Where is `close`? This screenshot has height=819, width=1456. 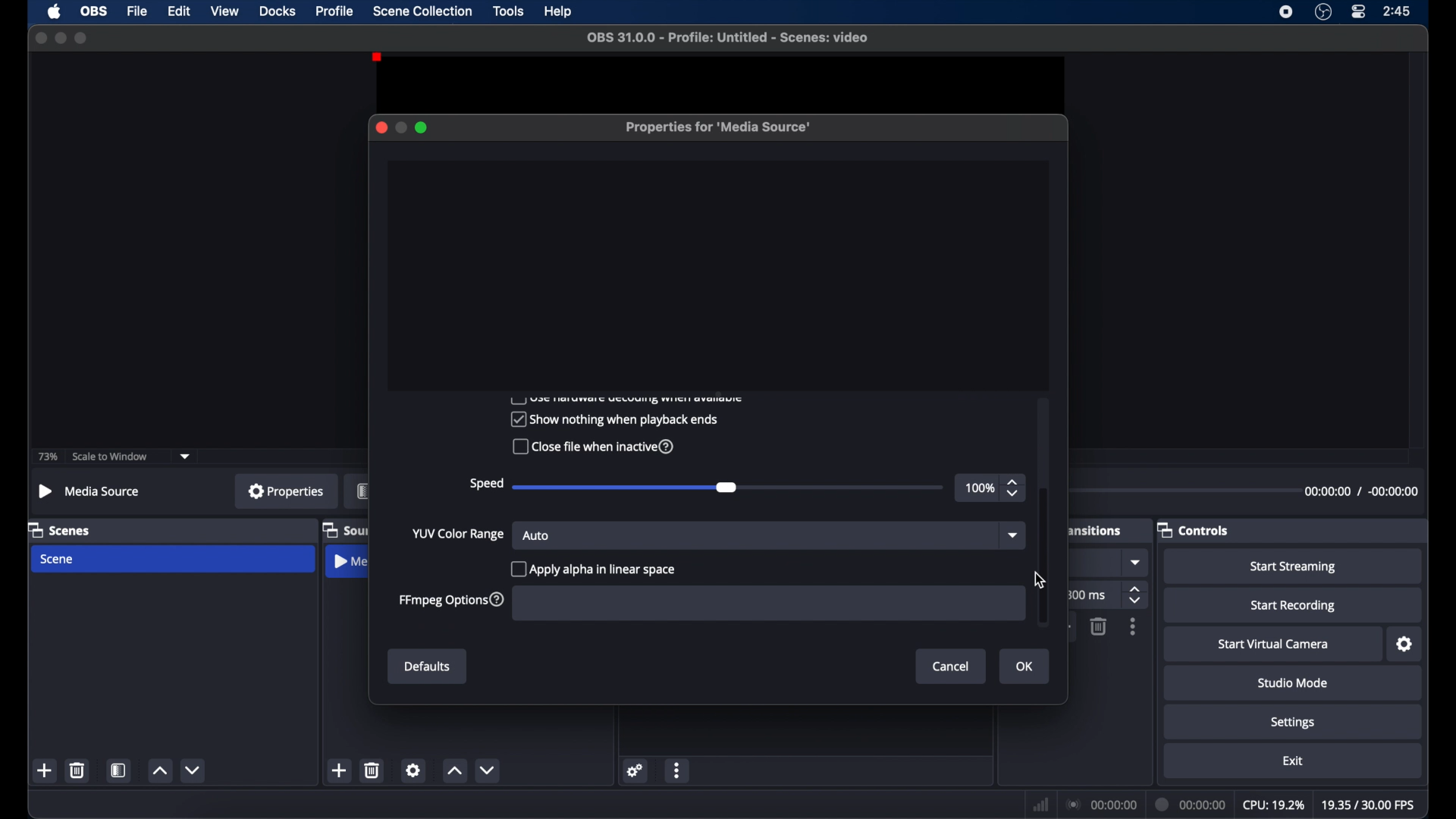 close is located at coordinates (381, 127).